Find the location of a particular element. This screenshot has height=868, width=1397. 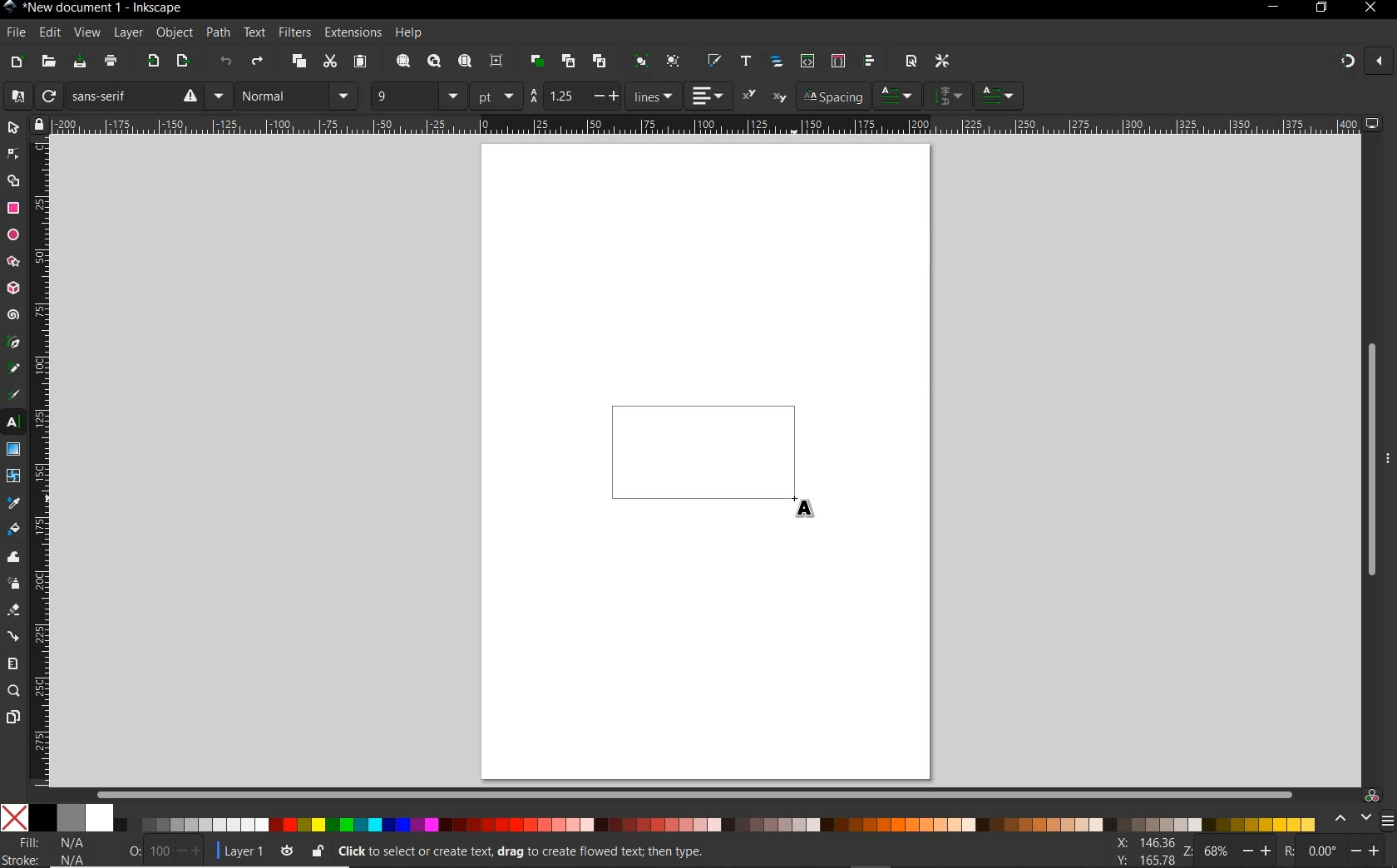

menu is located at coordinates (1387, 821).